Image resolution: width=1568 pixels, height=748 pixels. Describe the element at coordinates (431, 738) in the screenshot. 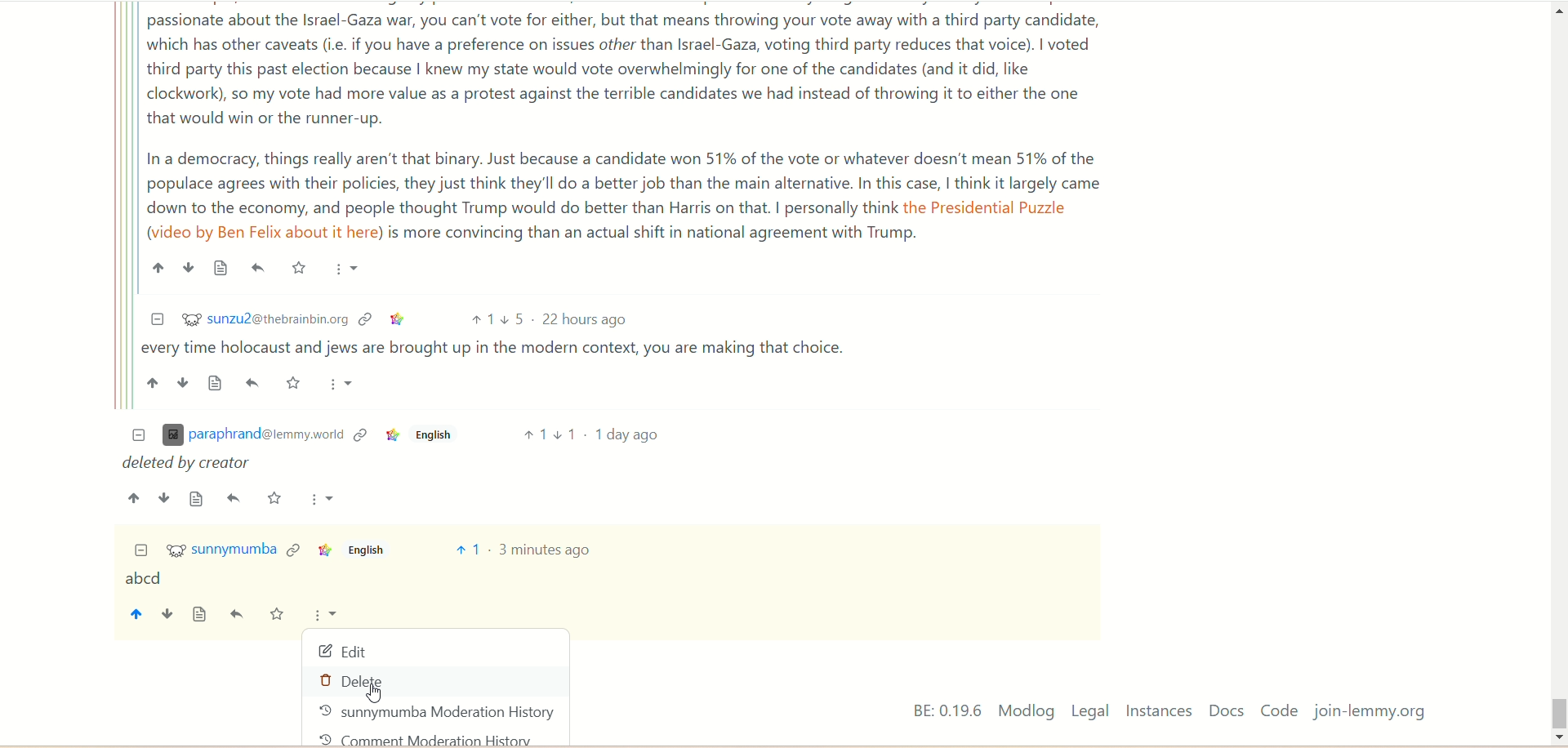

I see `comment moderation history` at that location.